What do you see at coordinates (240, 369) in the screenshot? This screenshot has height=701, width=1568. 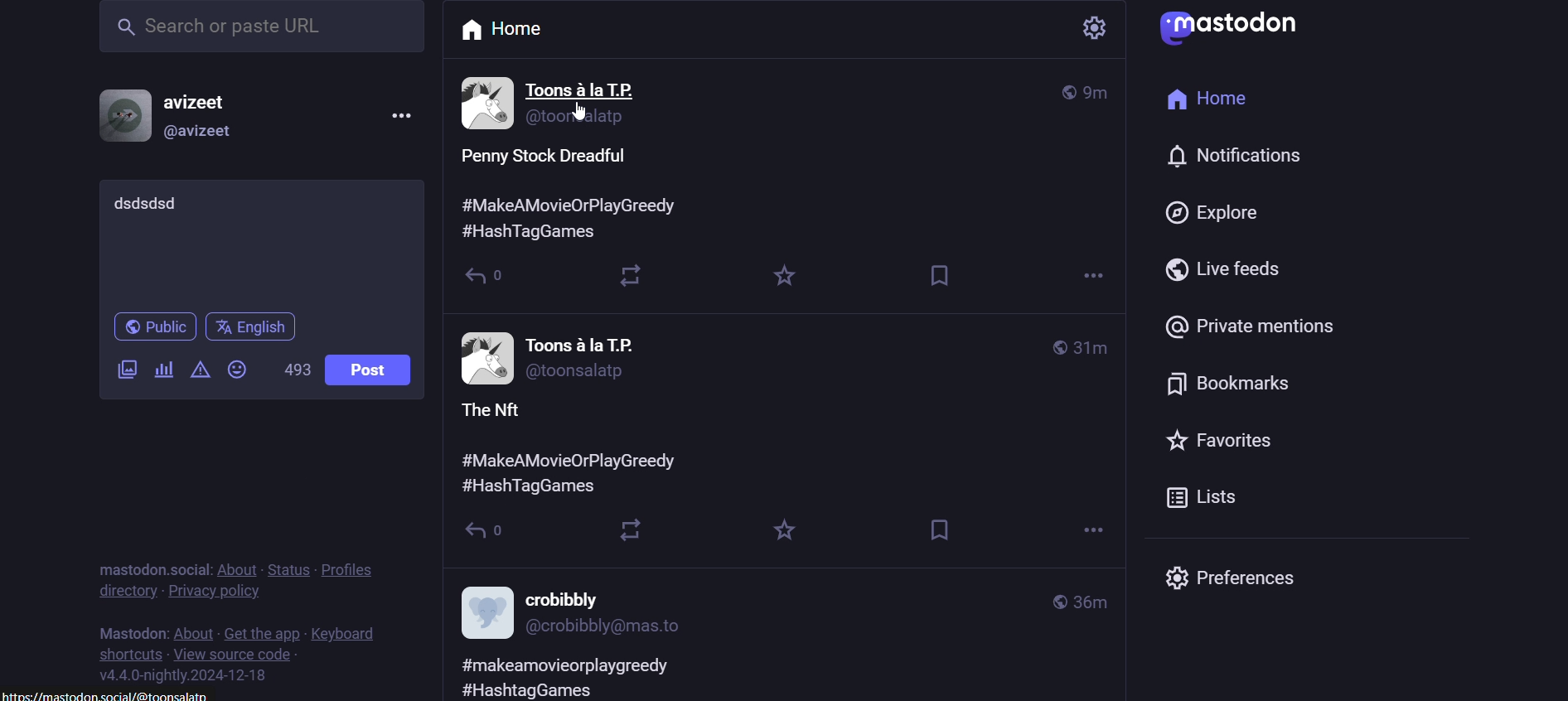 I see `add emoji` at bounding box center [240, 369].